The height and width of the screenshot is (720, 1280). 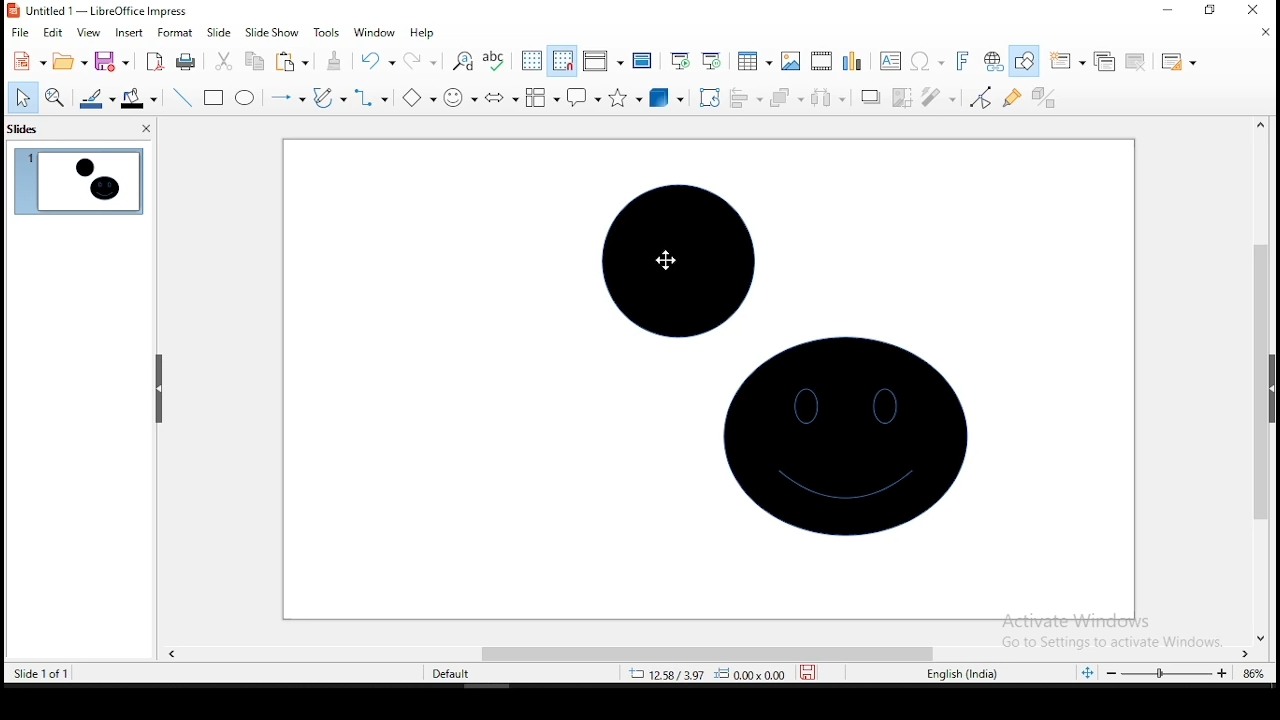 I want to click on distribute, so click(x=827, y=98).